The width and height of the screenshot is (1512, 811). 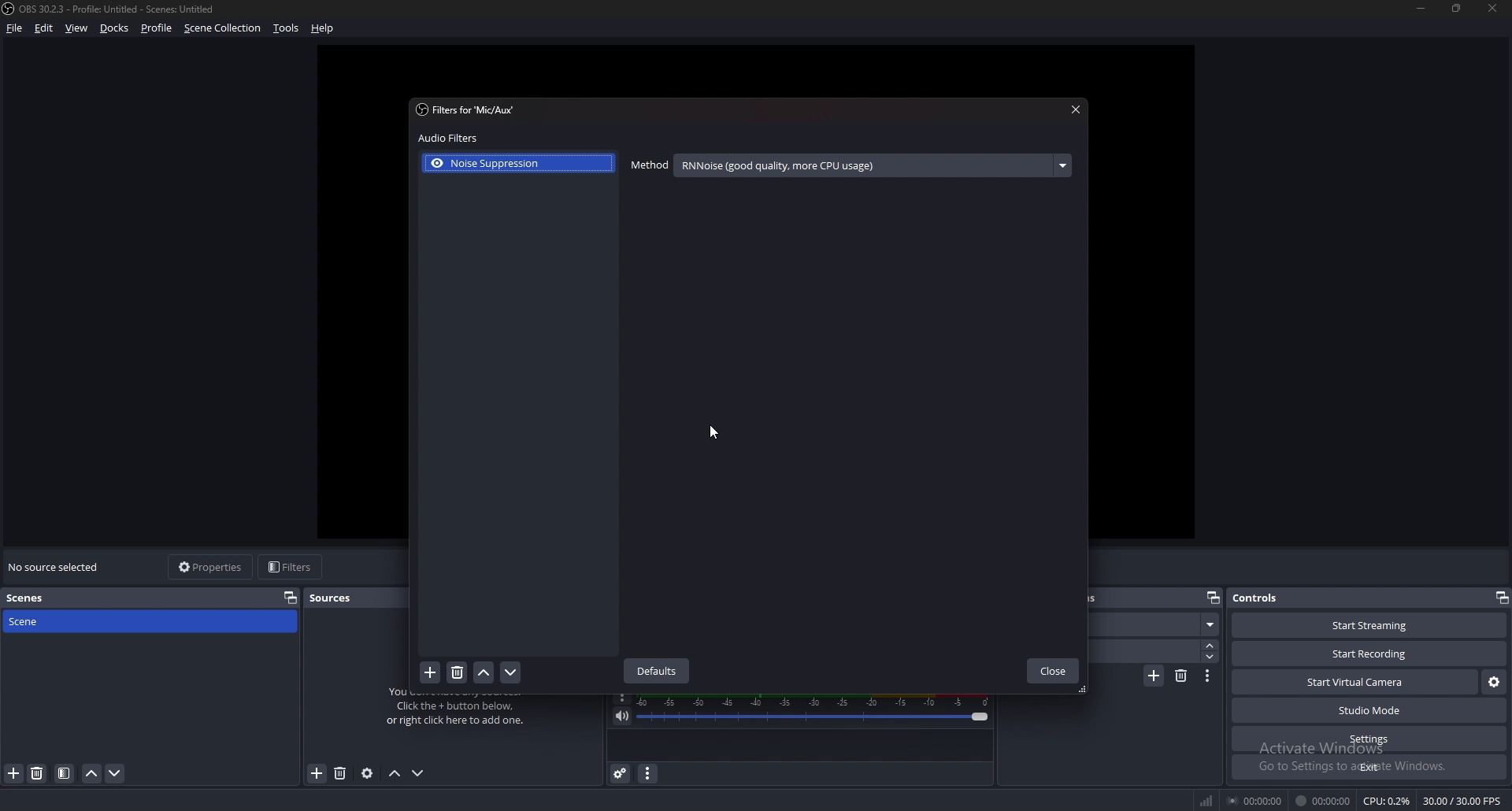 What do you see at coordinates (1254, 799) in the screenshot?
I see `00:00:00` at bounding box center [1254, 799].